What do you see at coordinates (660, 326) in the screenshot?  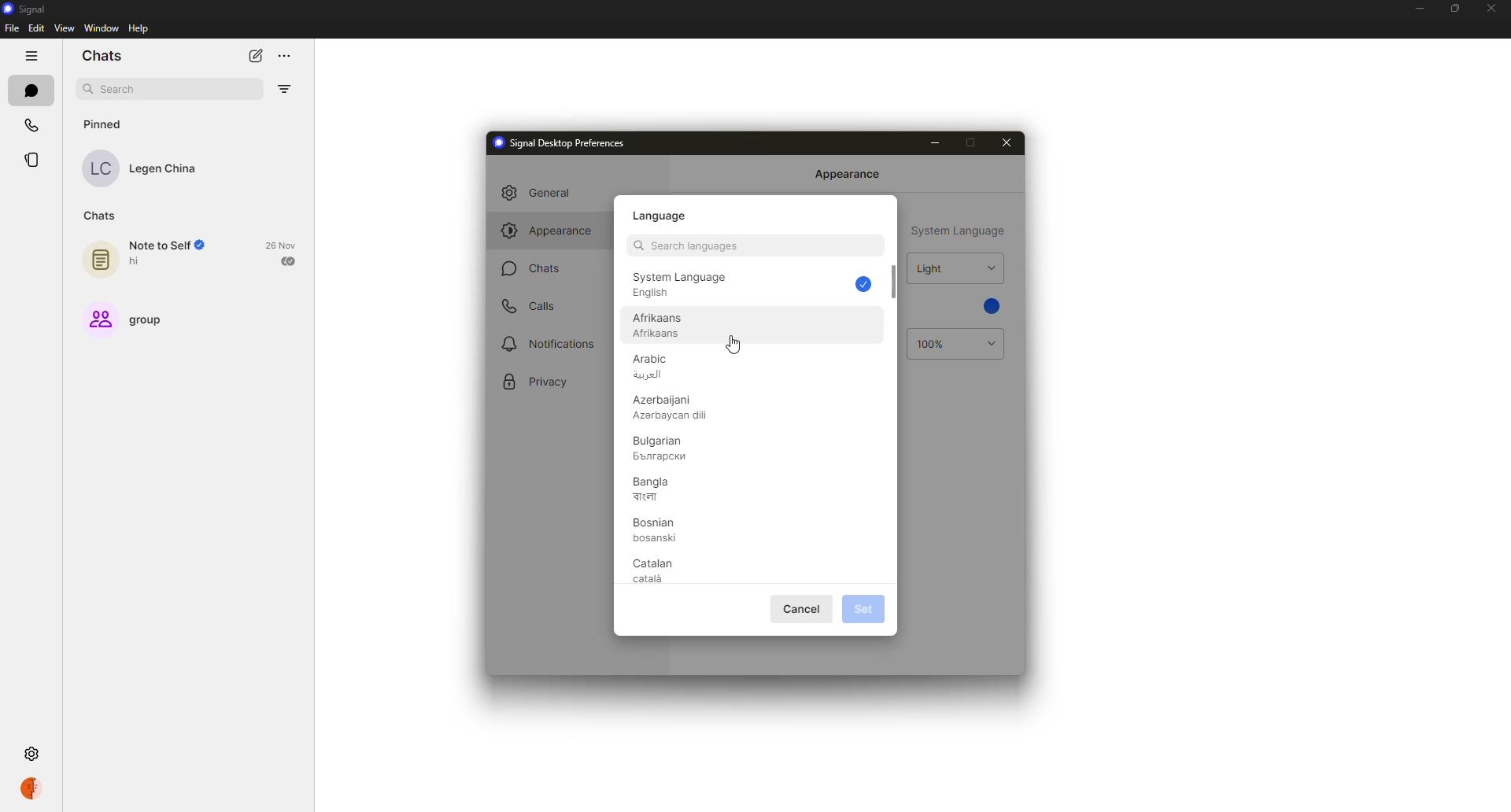 I see `afrikaans` at bounding box center [660, 326].